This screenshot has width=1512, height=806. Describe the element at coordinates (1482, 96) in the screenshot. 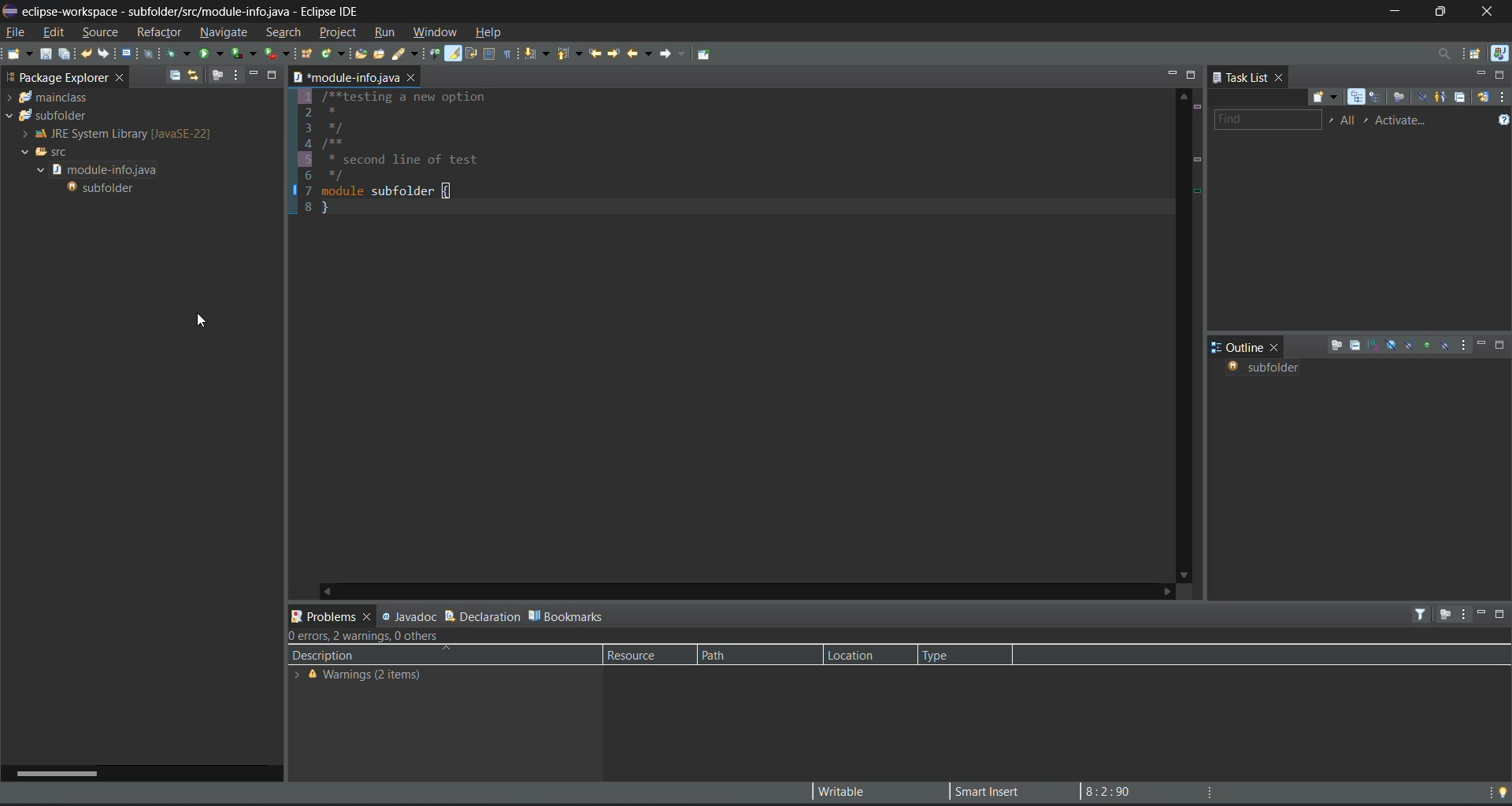

I see `synchronize changed` at that location.